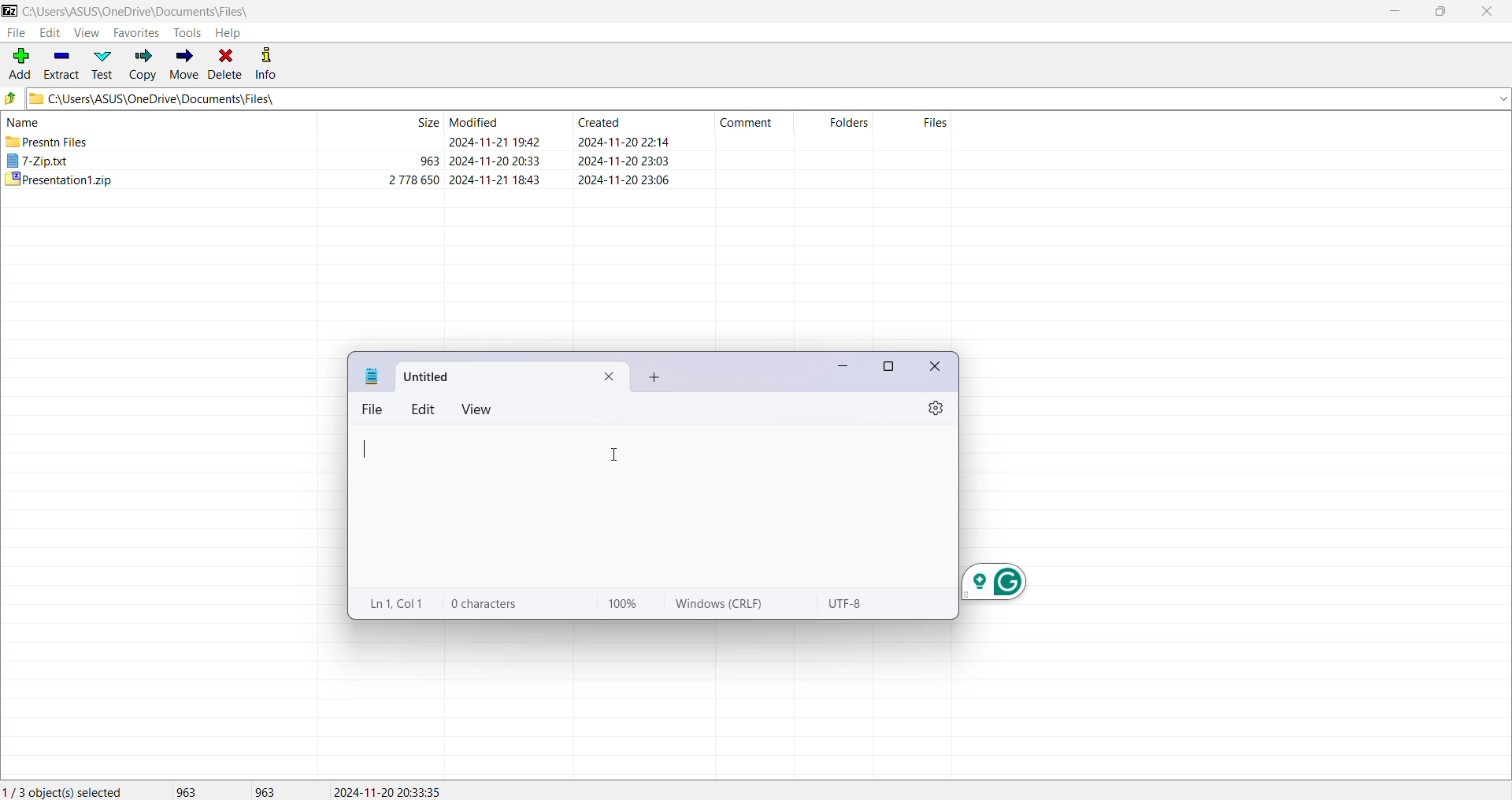  I want to click on Favorites, so click(138, 33).